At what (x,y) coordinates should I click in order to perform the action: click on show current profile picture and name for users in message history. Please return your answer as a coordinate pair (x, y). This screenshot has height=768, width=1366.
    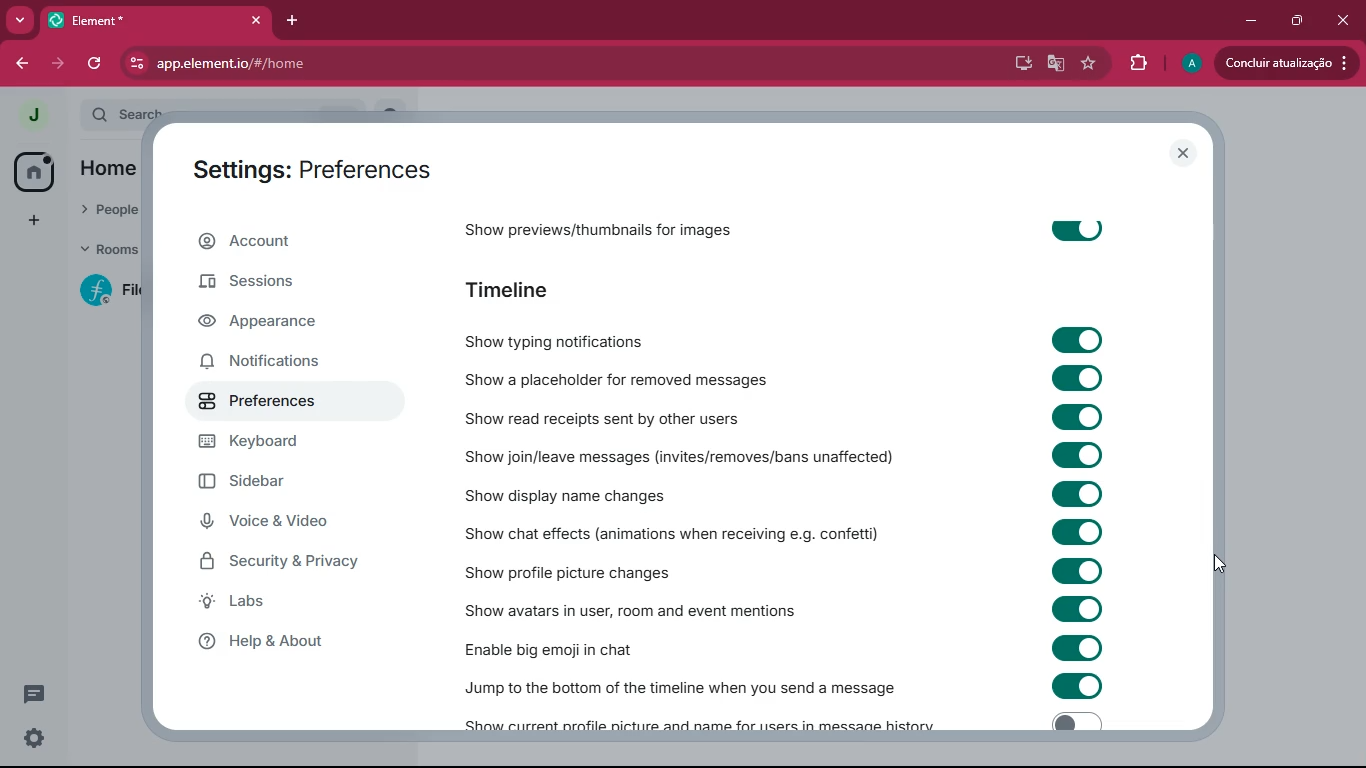
    Looking at the image, I should click on (705, 722).